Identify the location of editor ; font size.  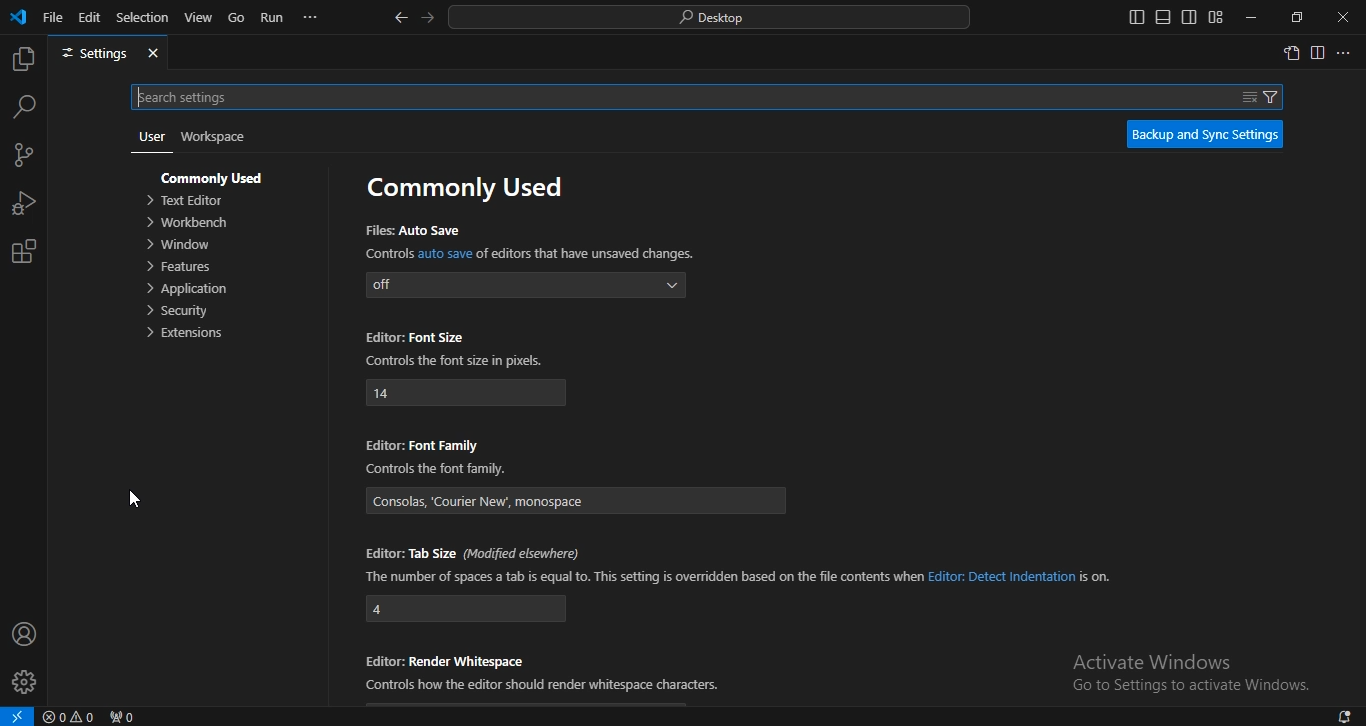
(458, 362).